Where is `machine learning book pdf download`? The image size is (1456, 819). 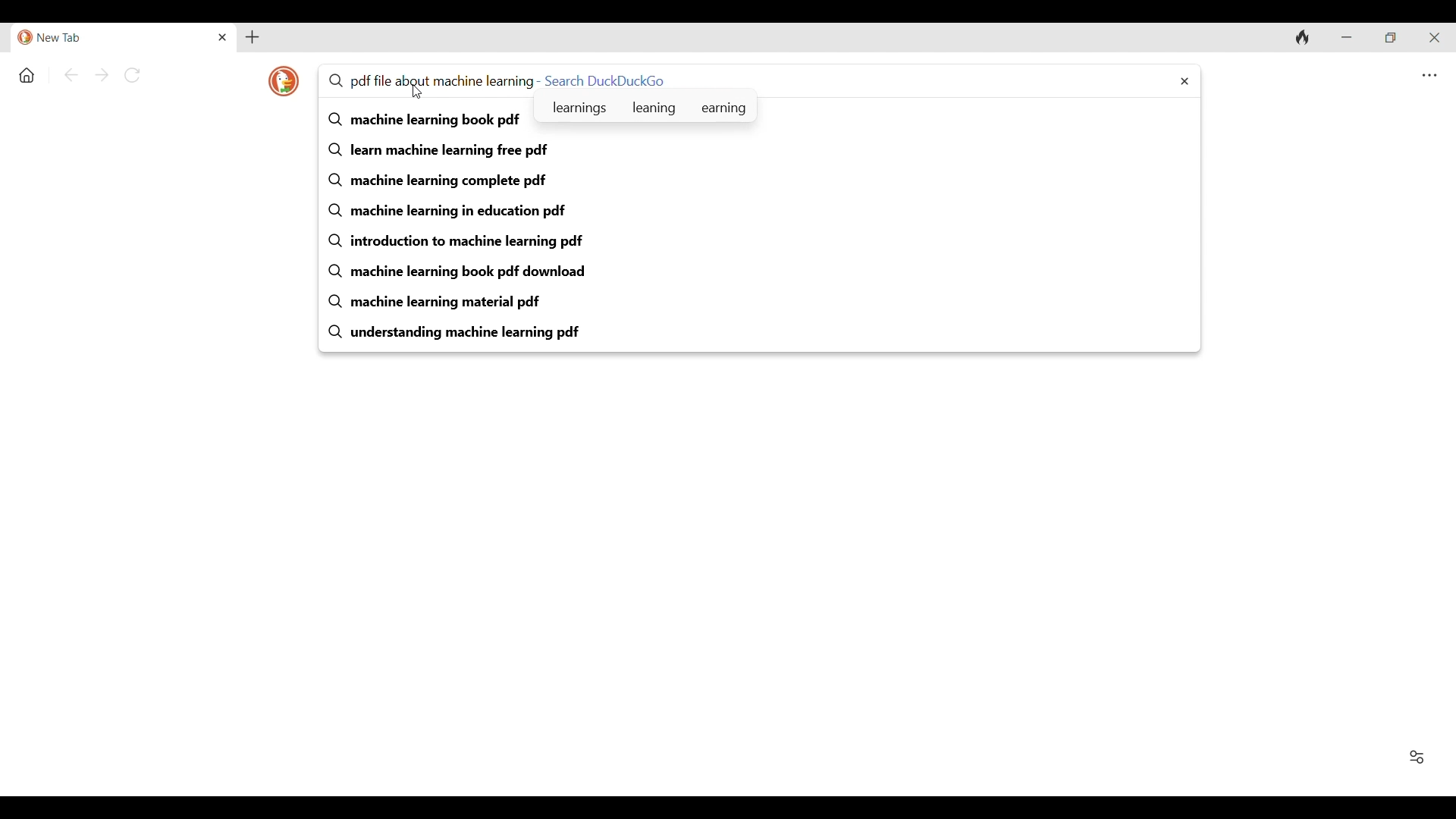 machine learning book pdf download is located at coordinates (761, 272).